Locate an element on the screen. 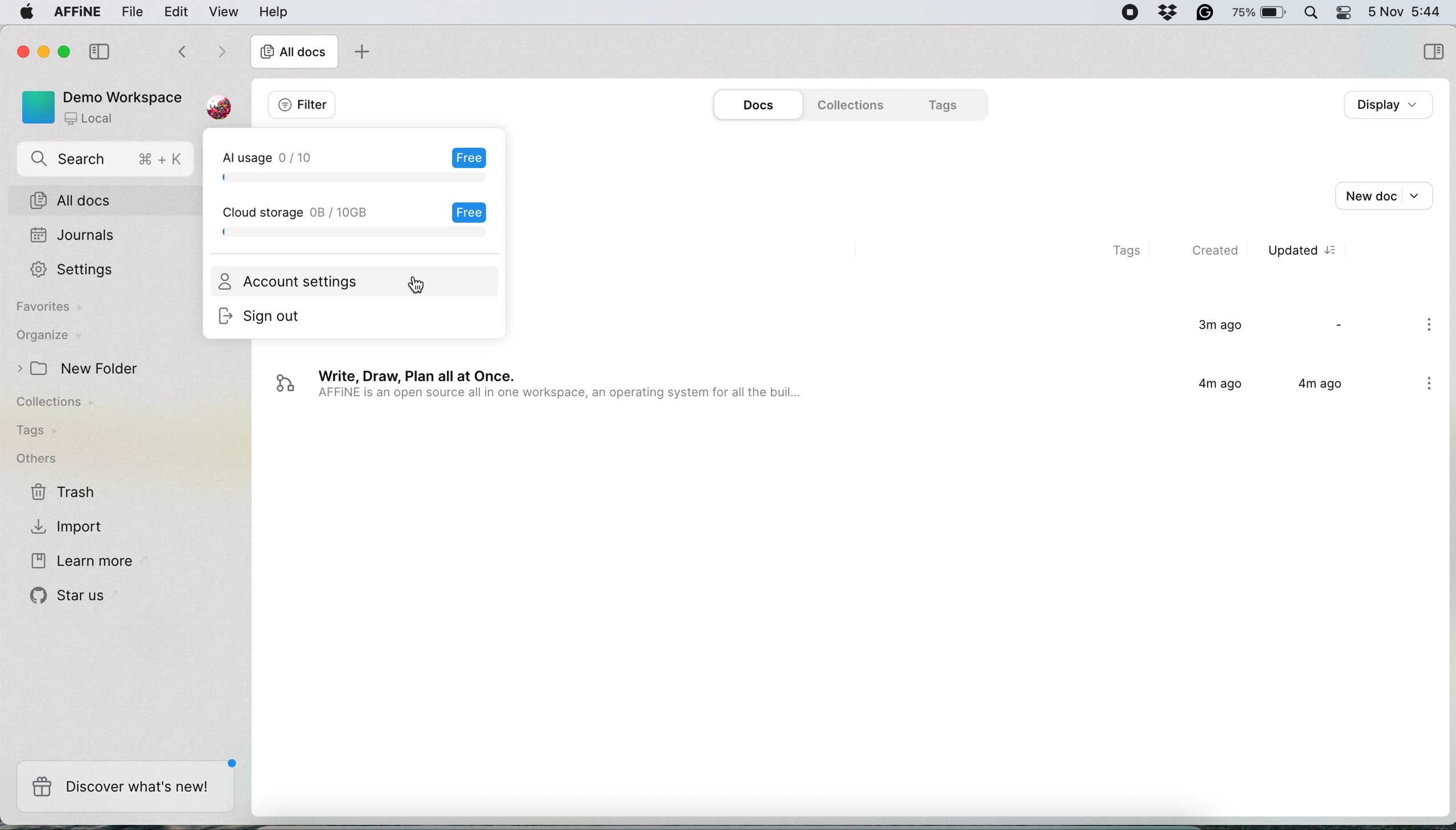  account settings is located at coordinates (292, 282).